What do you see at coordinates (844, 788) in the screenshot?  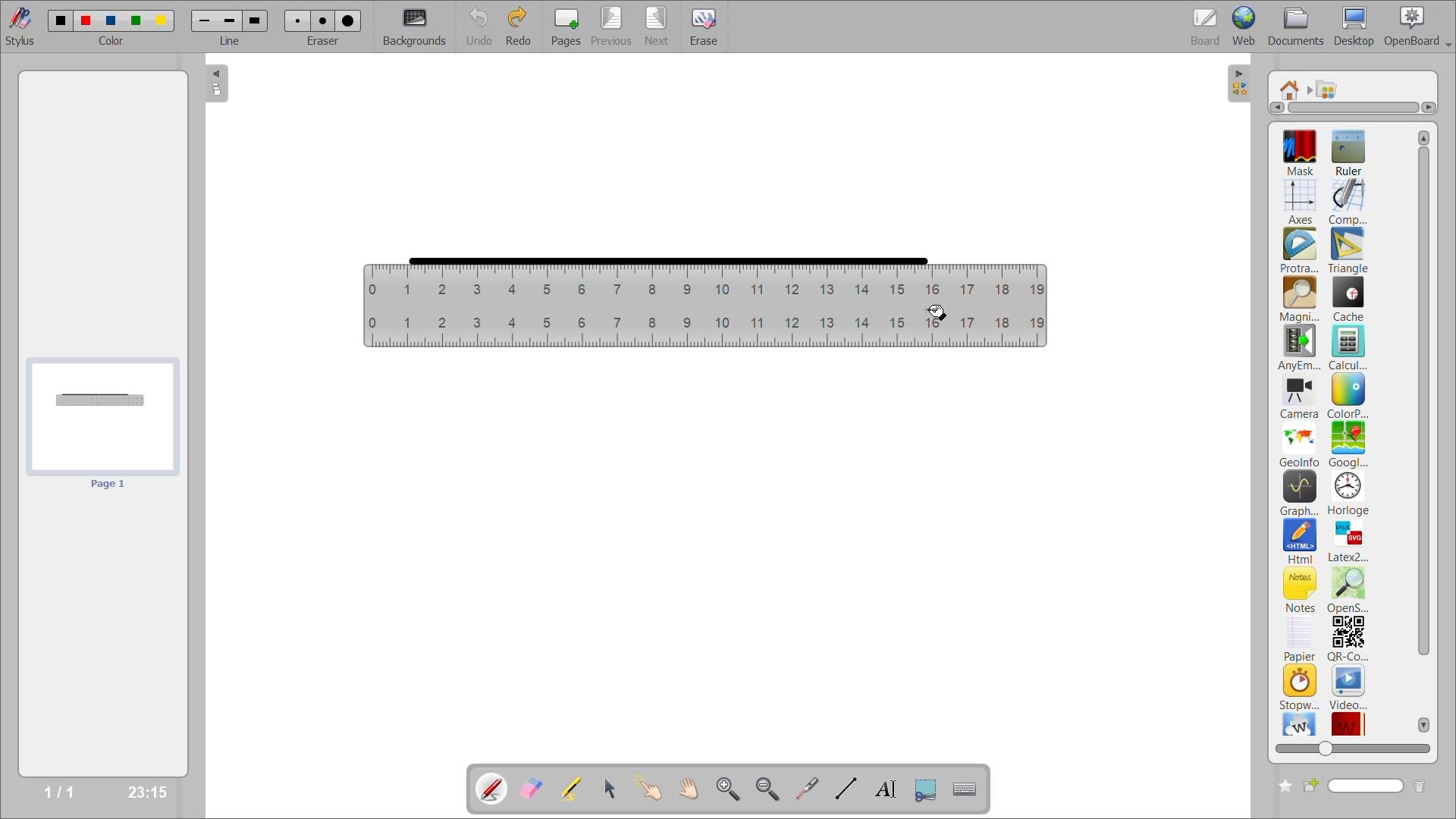 I see `draw lines` at bounding box center [844, 788].